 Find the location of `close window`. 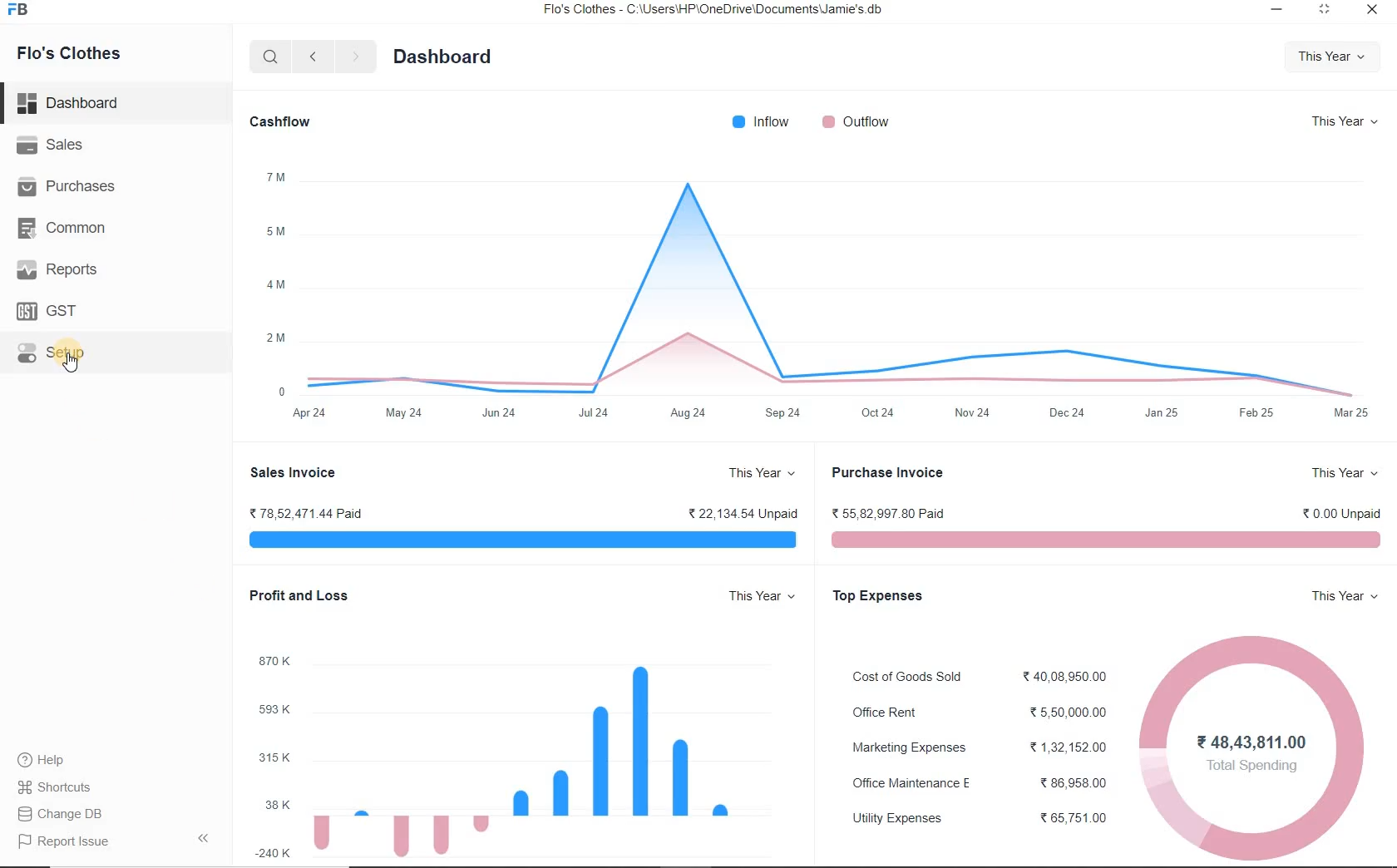

close window is located at coordinates (1374, 11).